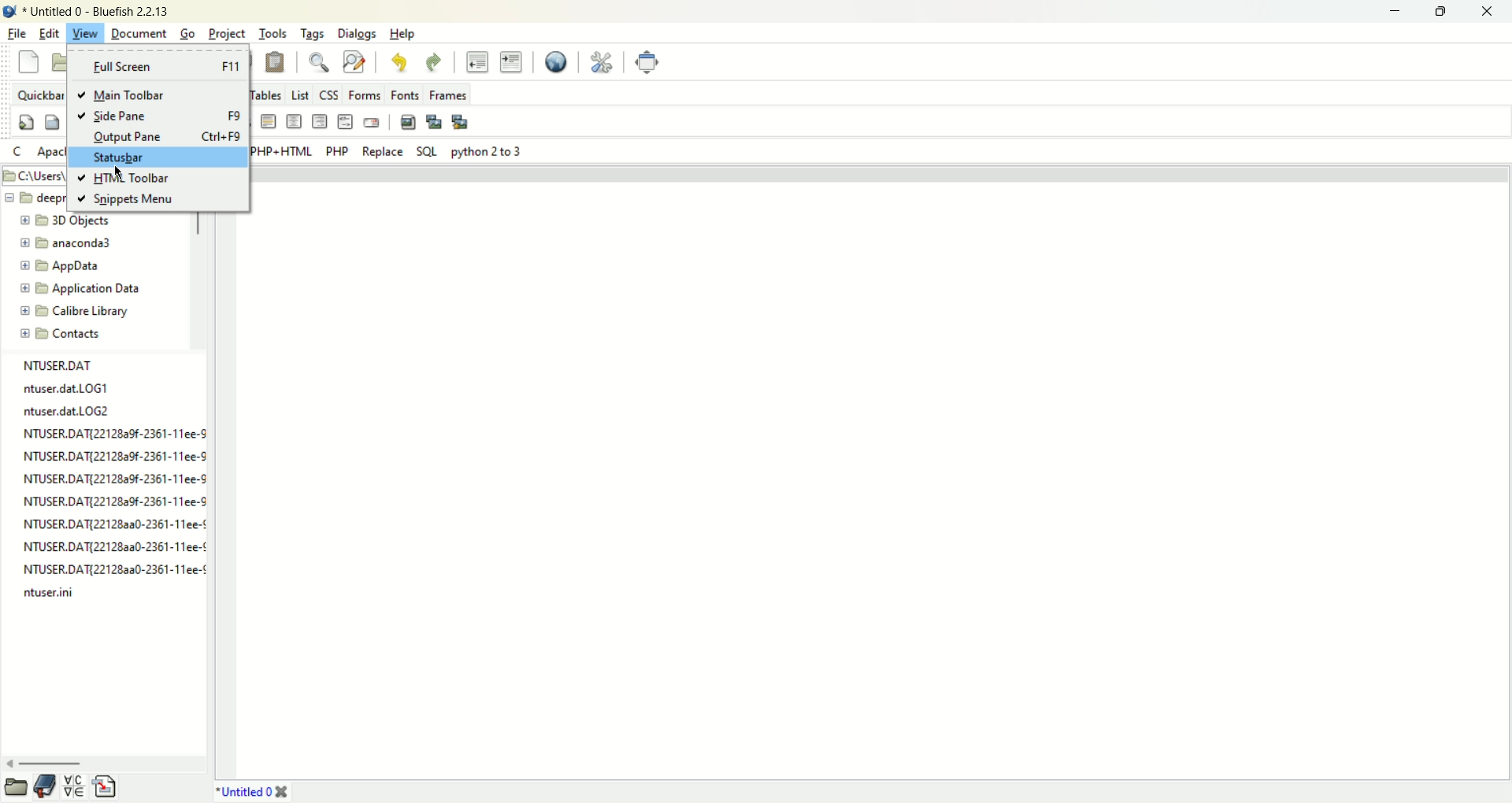 The height and width of the screenshot is (803, 1512). I want to click on side pane, so click(161, 117).